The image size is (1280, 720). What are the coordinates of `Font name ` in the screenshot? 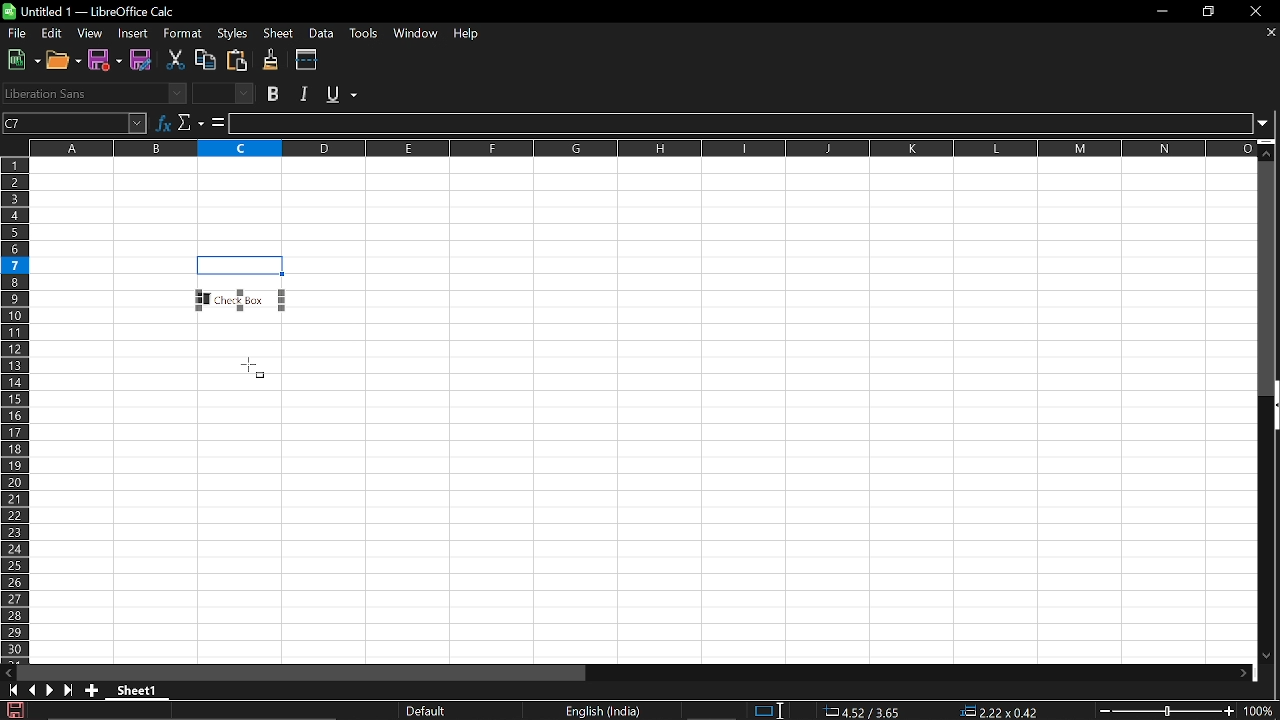 It's located at (94, 93).